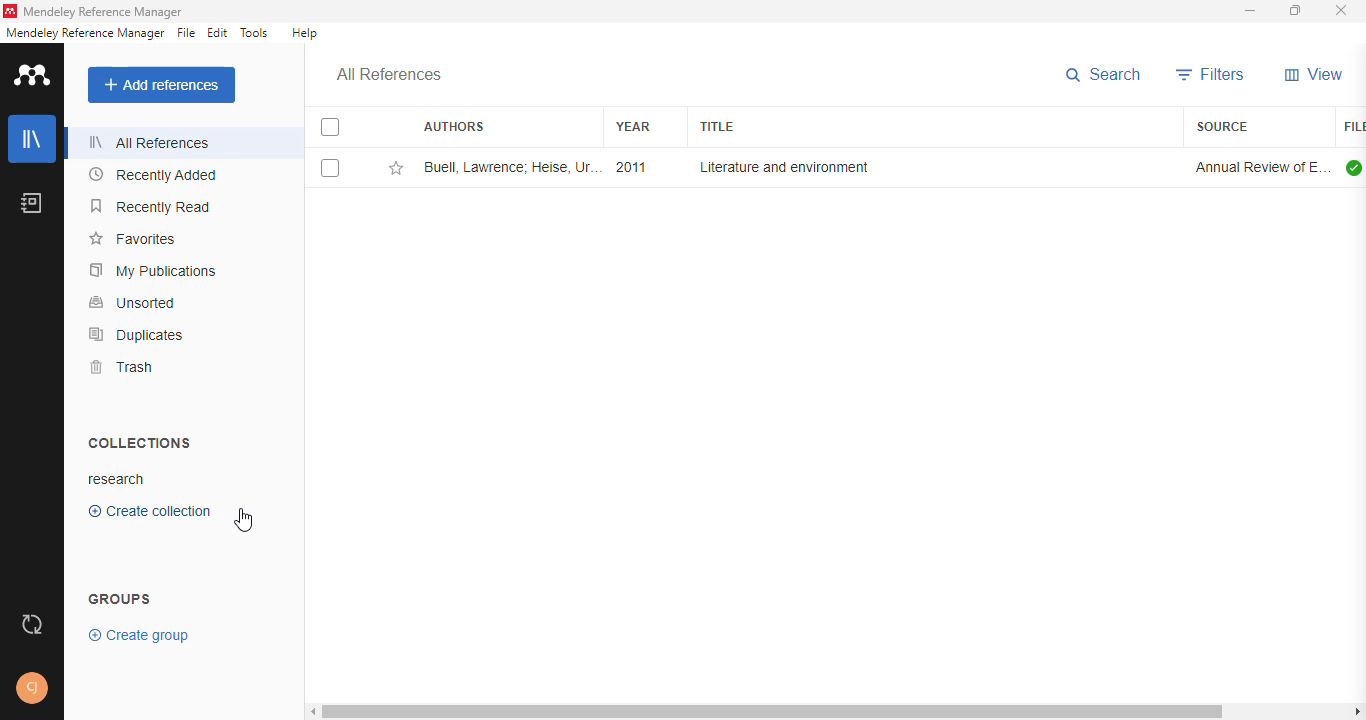 This screenshot has width=1366, height=720. I want to click on maximize, so click(1297, 10).